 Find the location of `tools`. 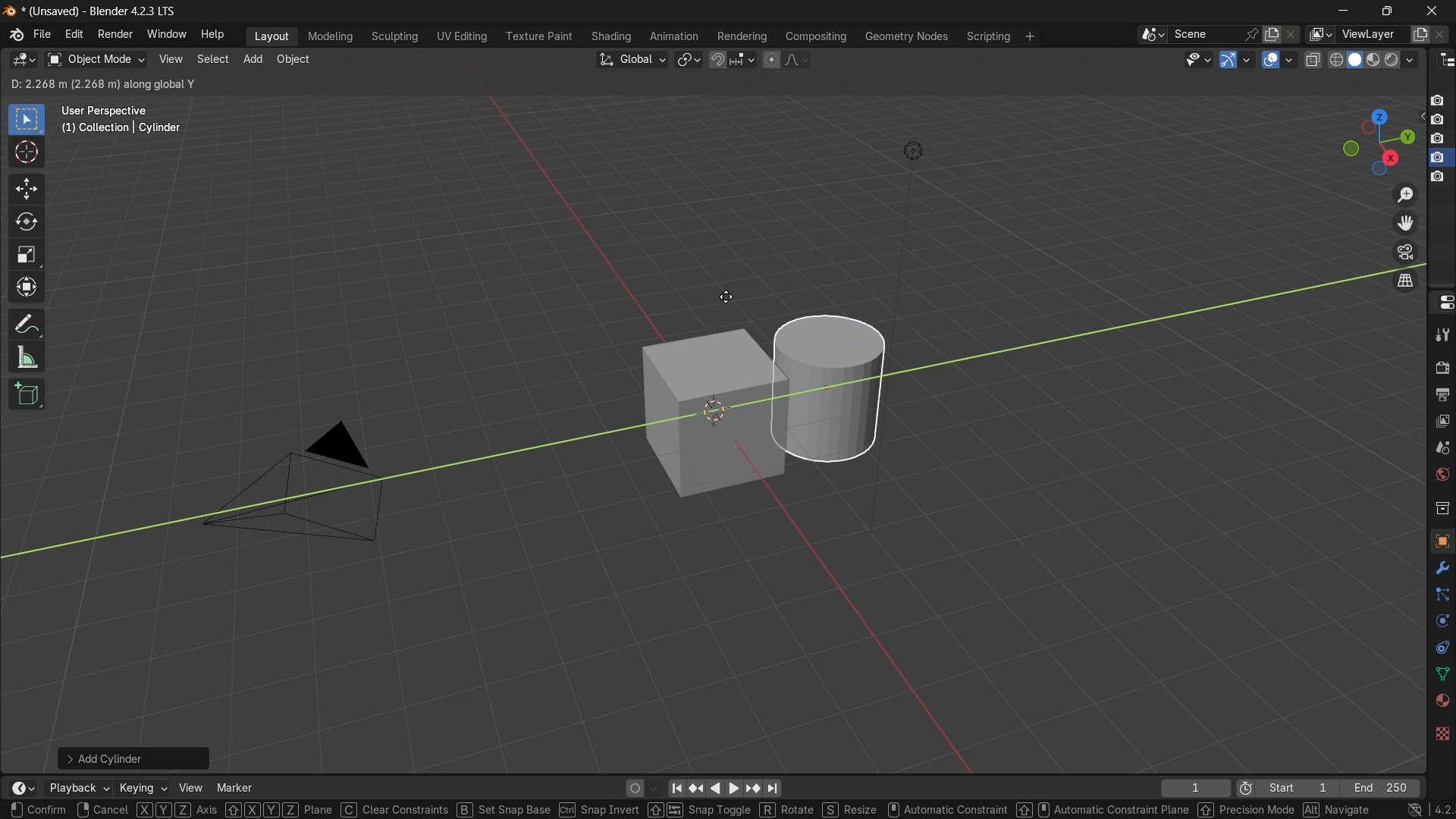

tools is located at coordinates (1441, 332).